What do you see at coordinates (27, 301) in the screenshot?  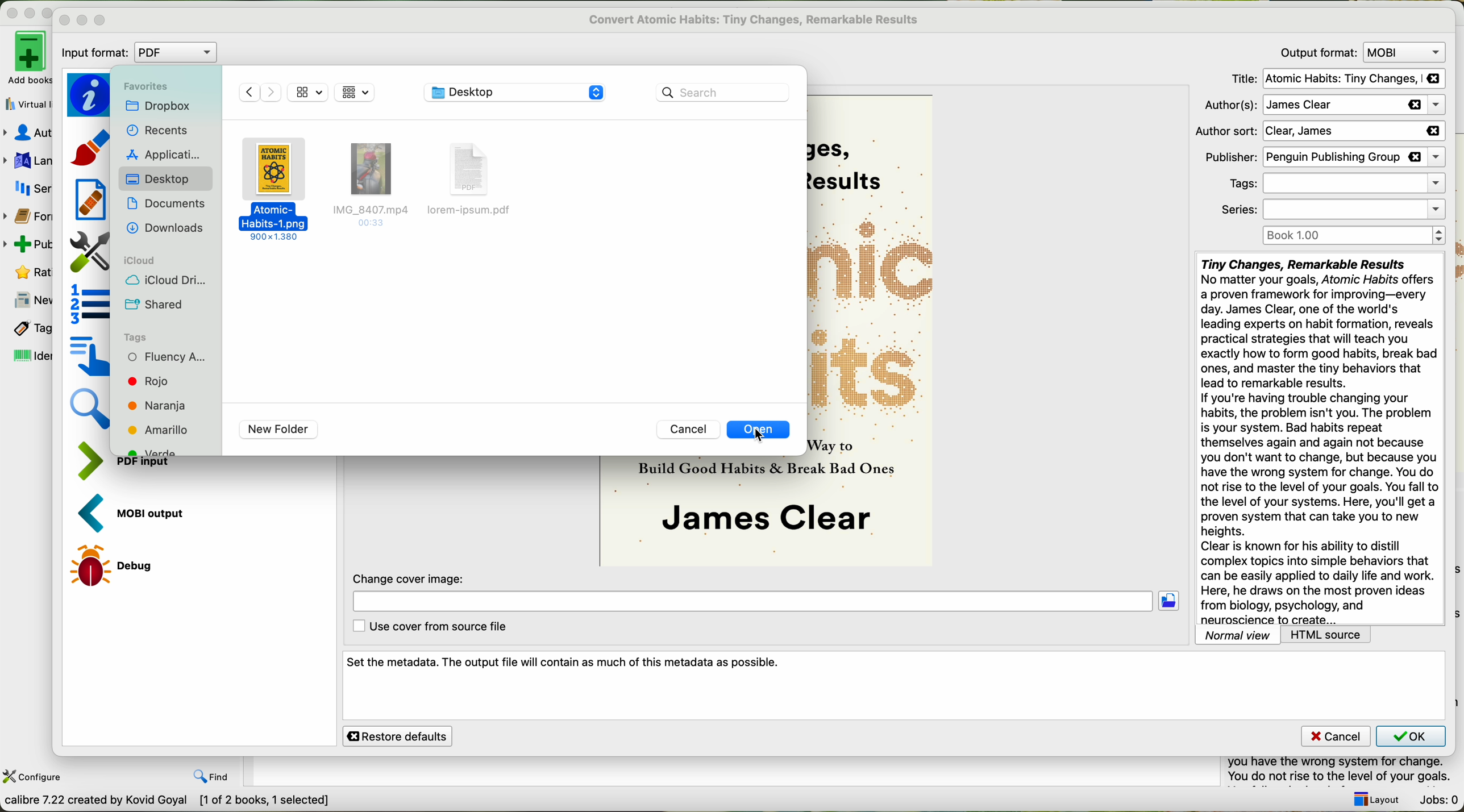 I see `news` at bounding box center [27, 301].